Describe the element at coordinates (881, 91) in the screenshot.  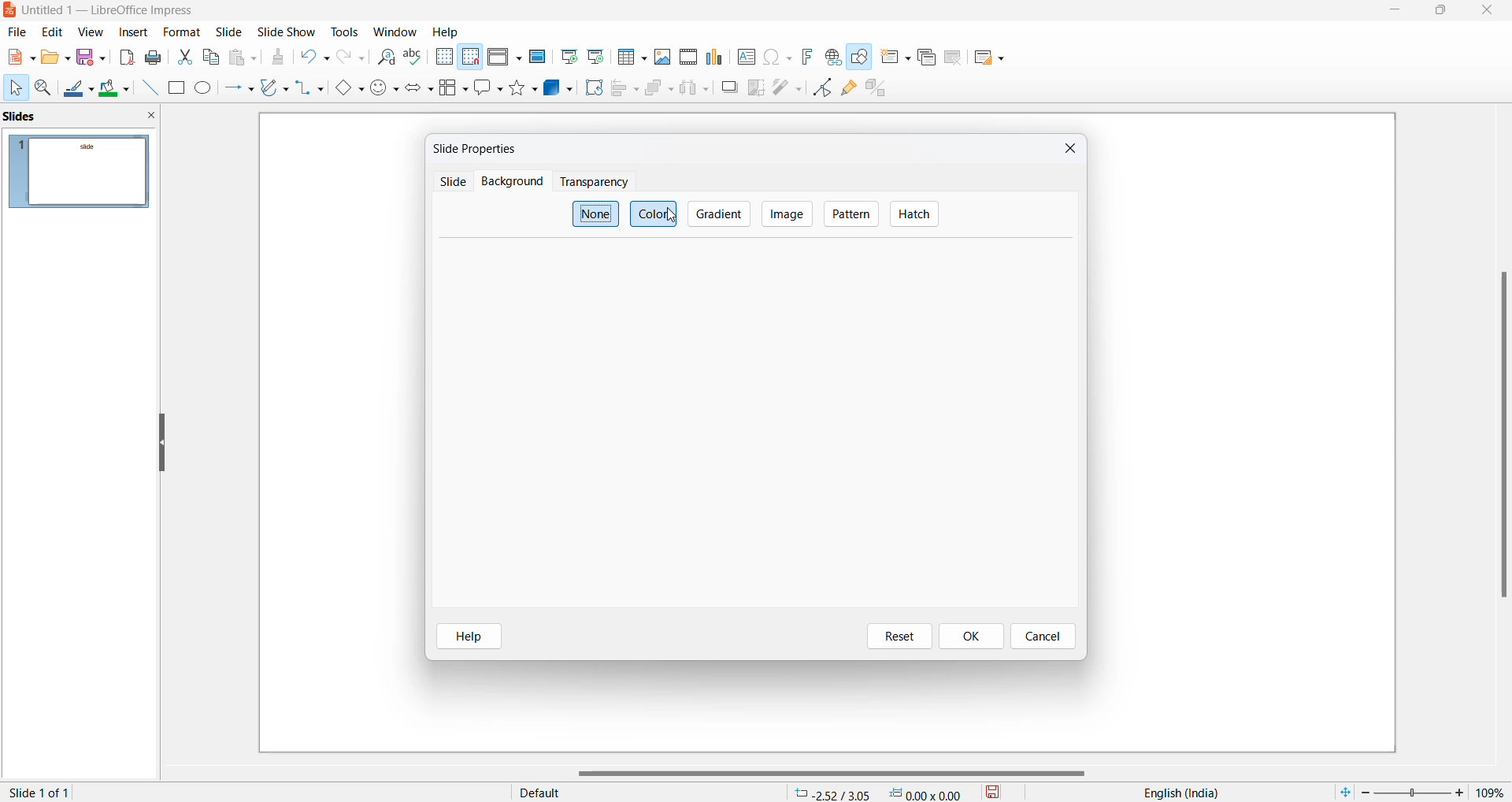
I see `toggle extrusion` at that location.